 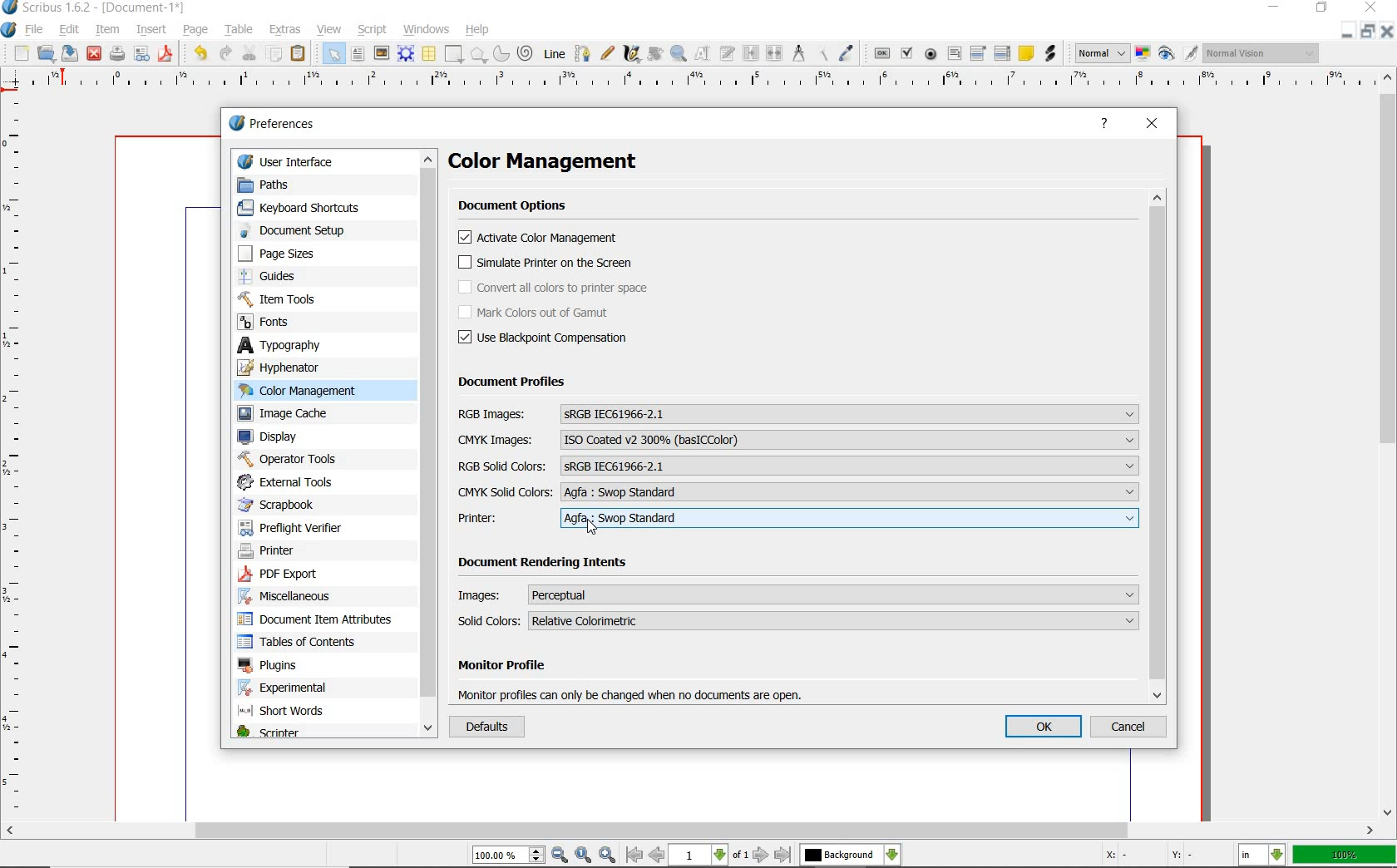 I want to click on text annotation, so click(x=1025, y=54).